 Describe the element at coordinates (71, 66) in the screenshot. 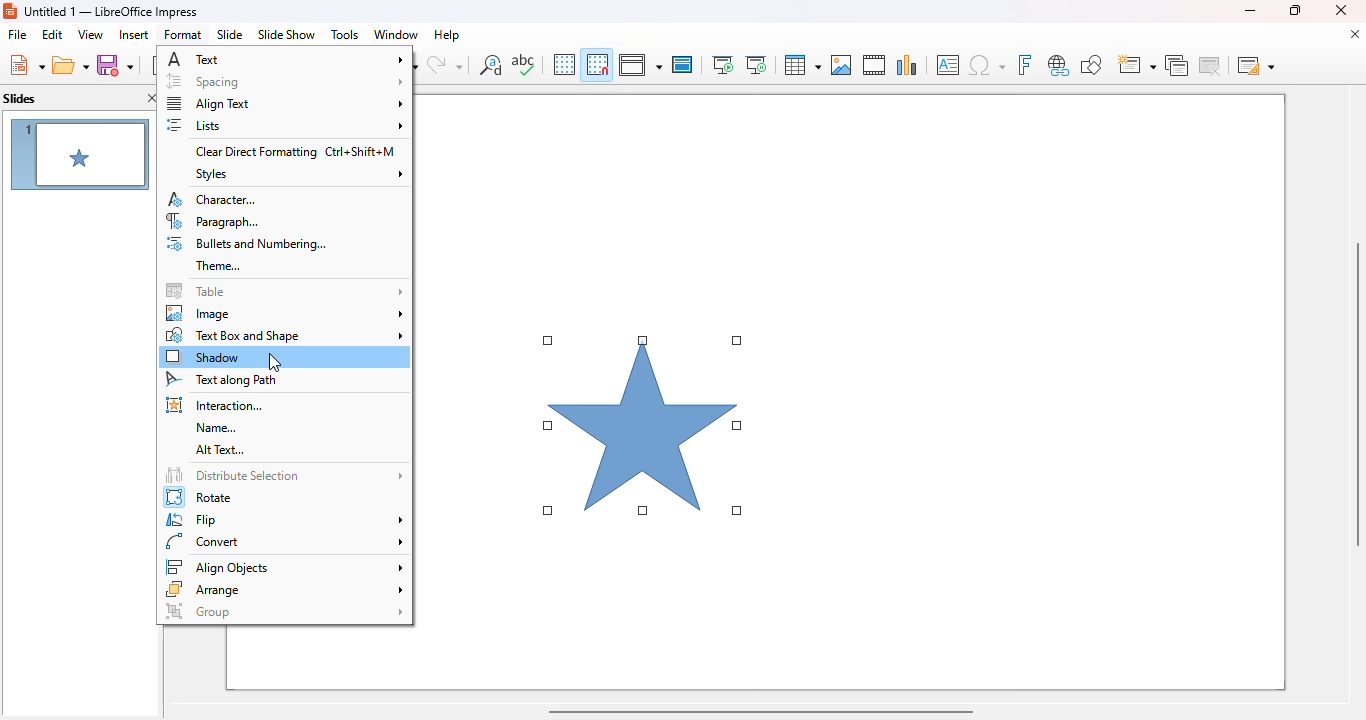

I see `open` at that location.